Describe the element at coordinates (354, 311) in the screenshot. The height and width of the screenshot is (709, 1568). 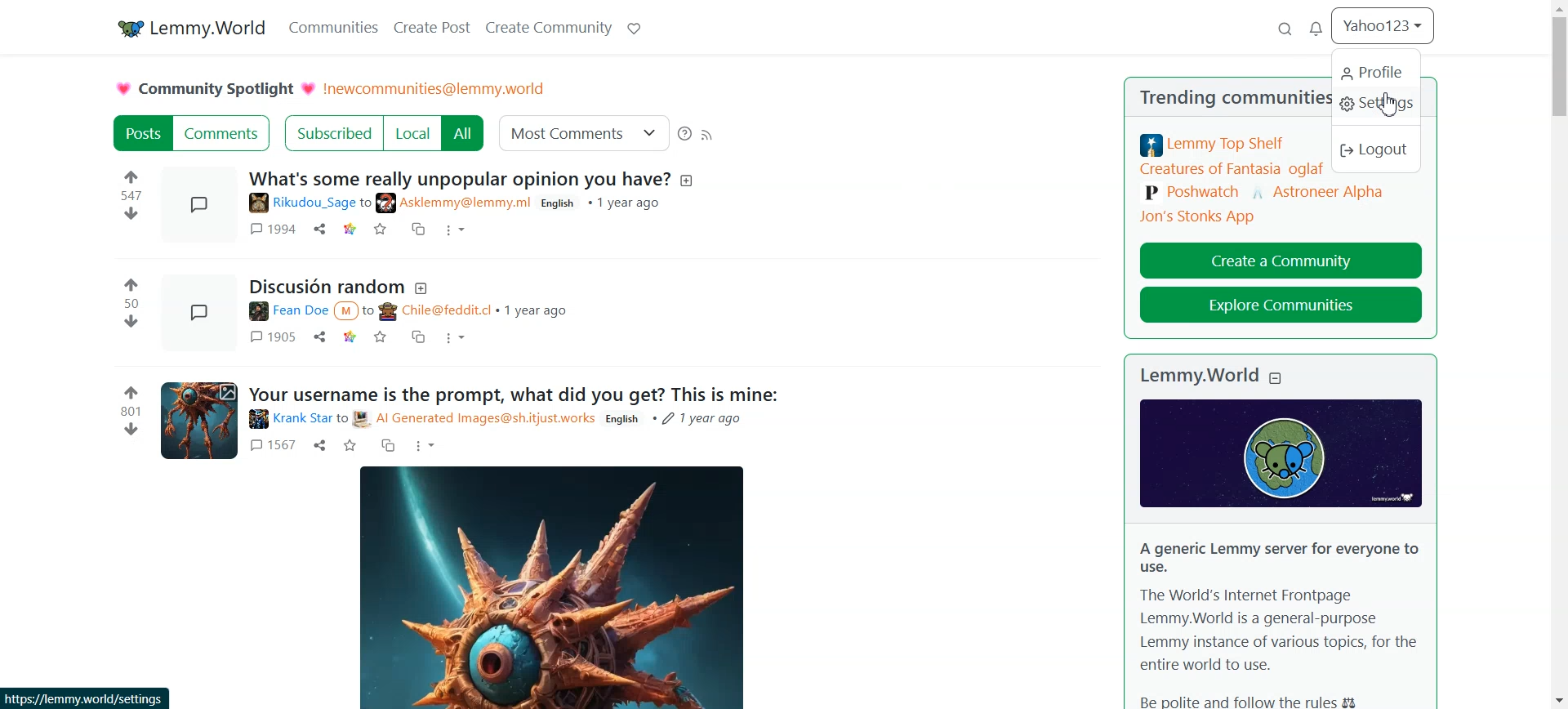
I see `M to` at that location.